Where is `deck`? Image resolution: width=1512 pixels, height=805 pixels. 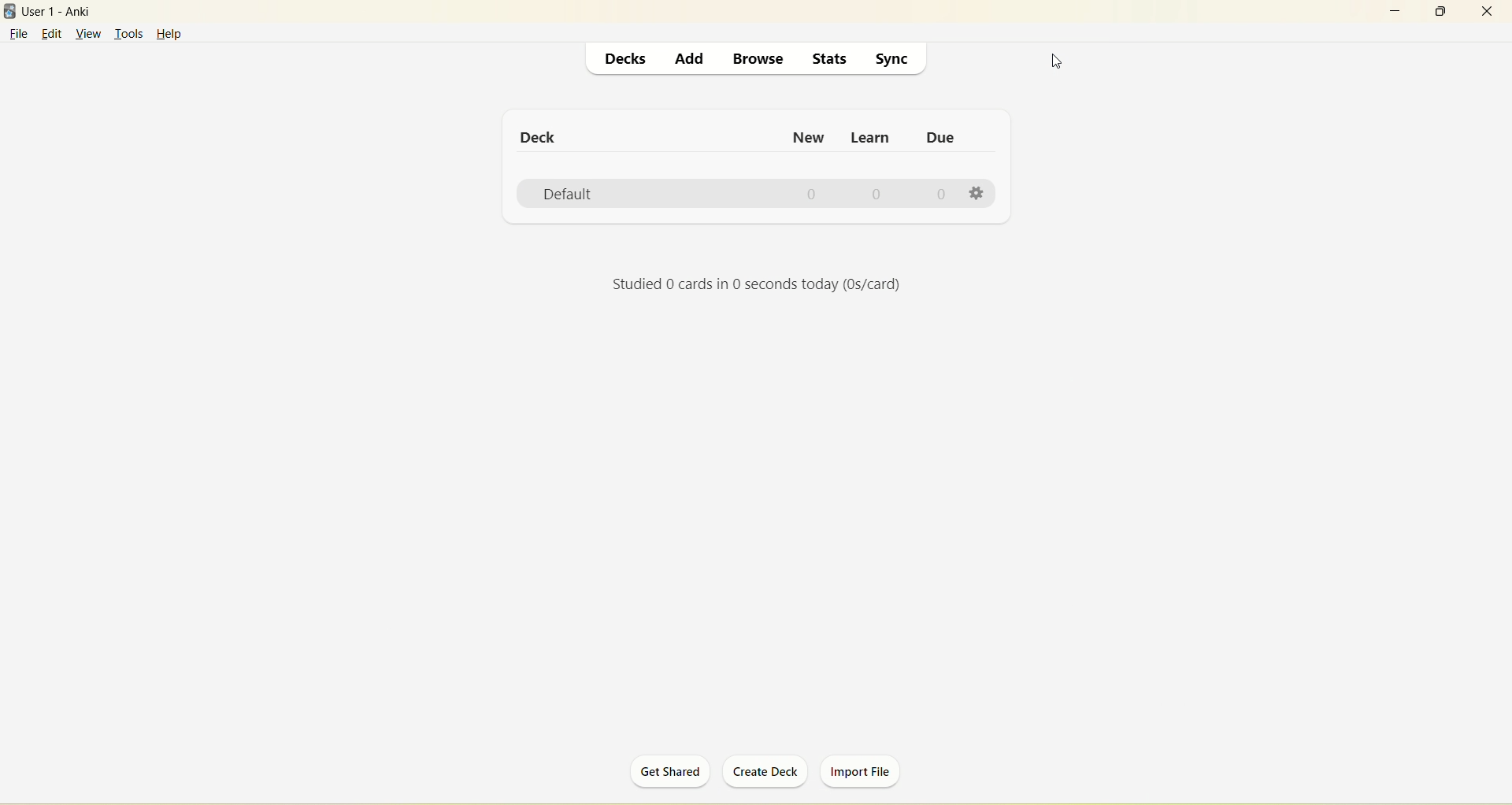 deck is located at coordinates (540, 137).